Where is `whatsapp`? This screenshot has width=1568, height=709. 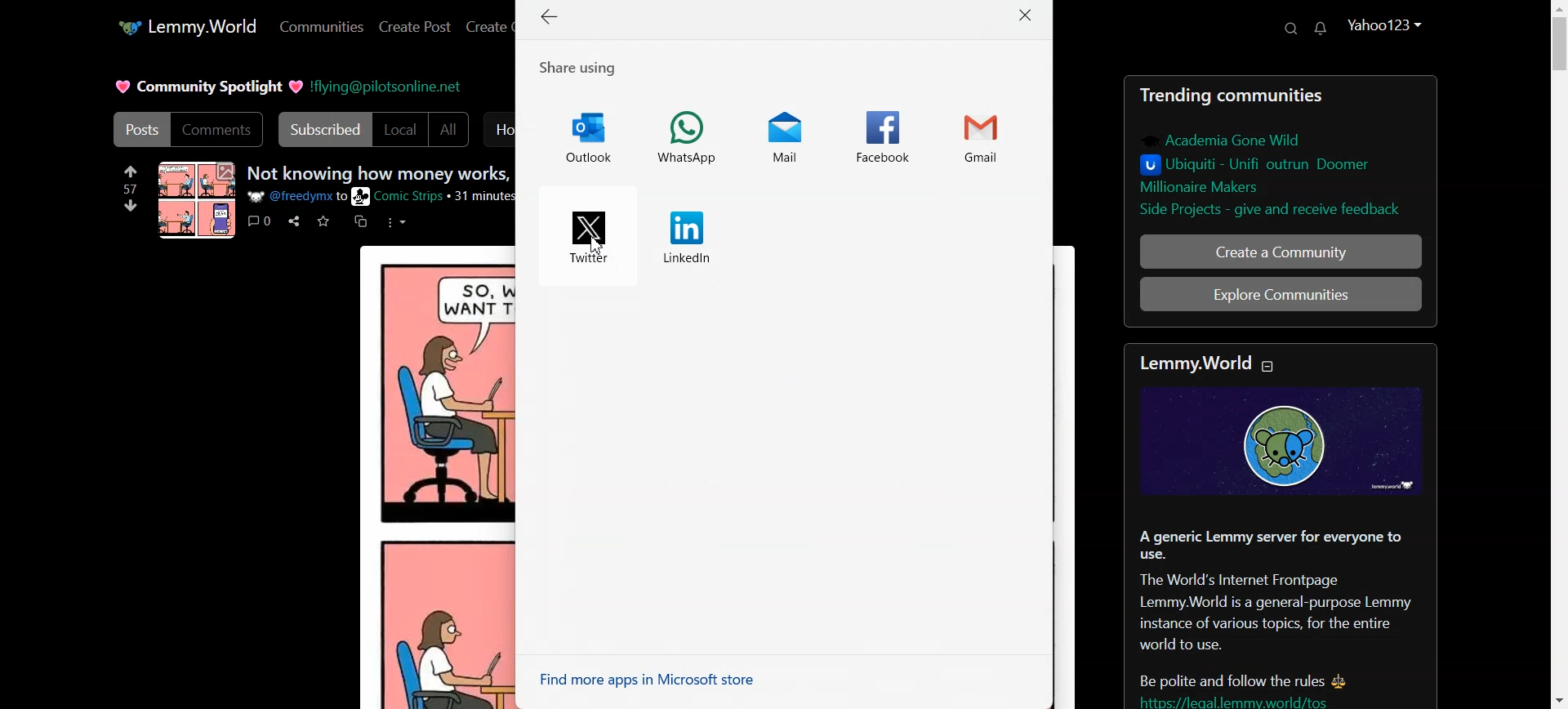 whatsapp is located at coordinates (691, 138).